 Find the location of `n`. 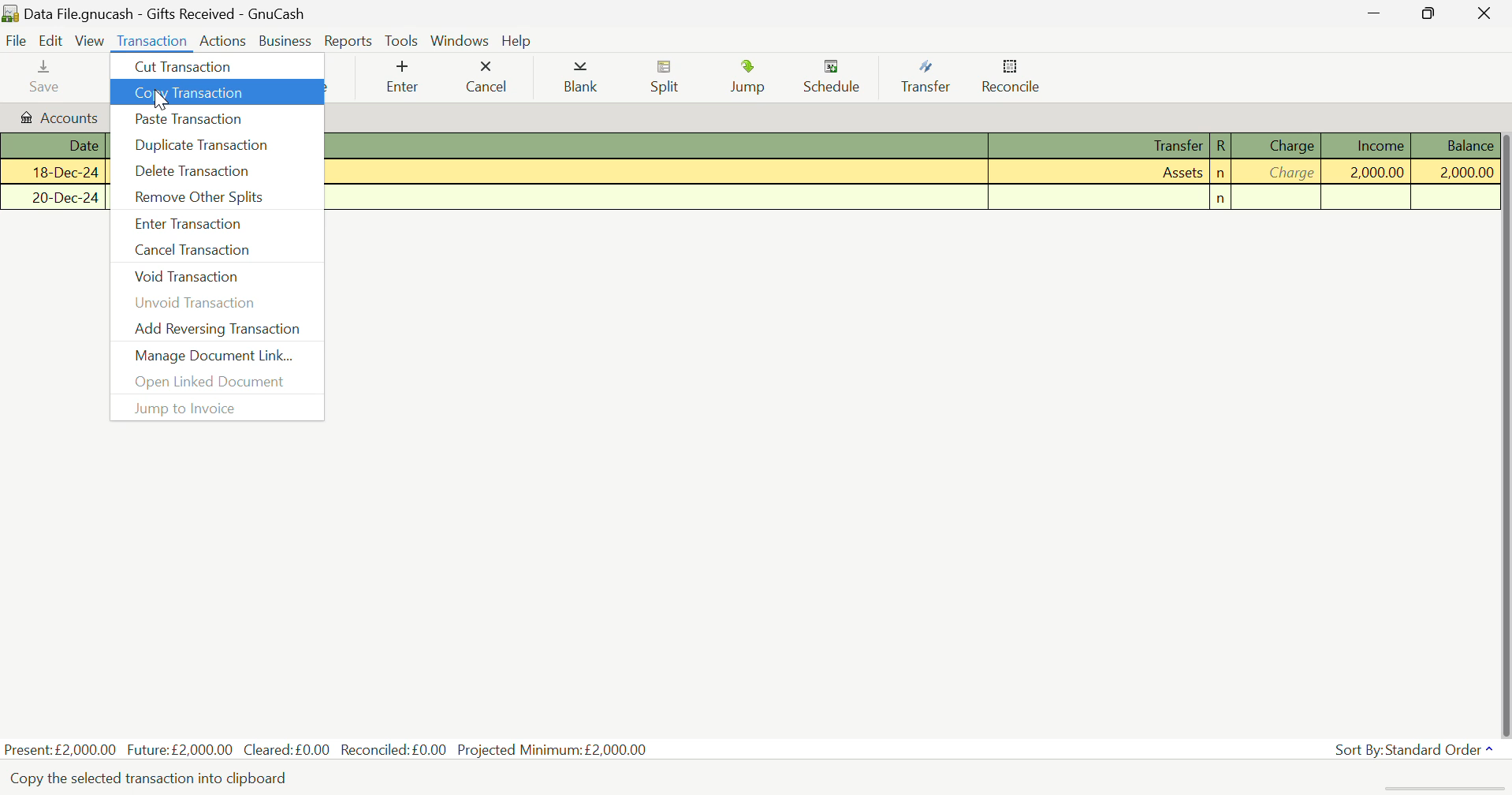

n is located at coordinates (1221, 174).